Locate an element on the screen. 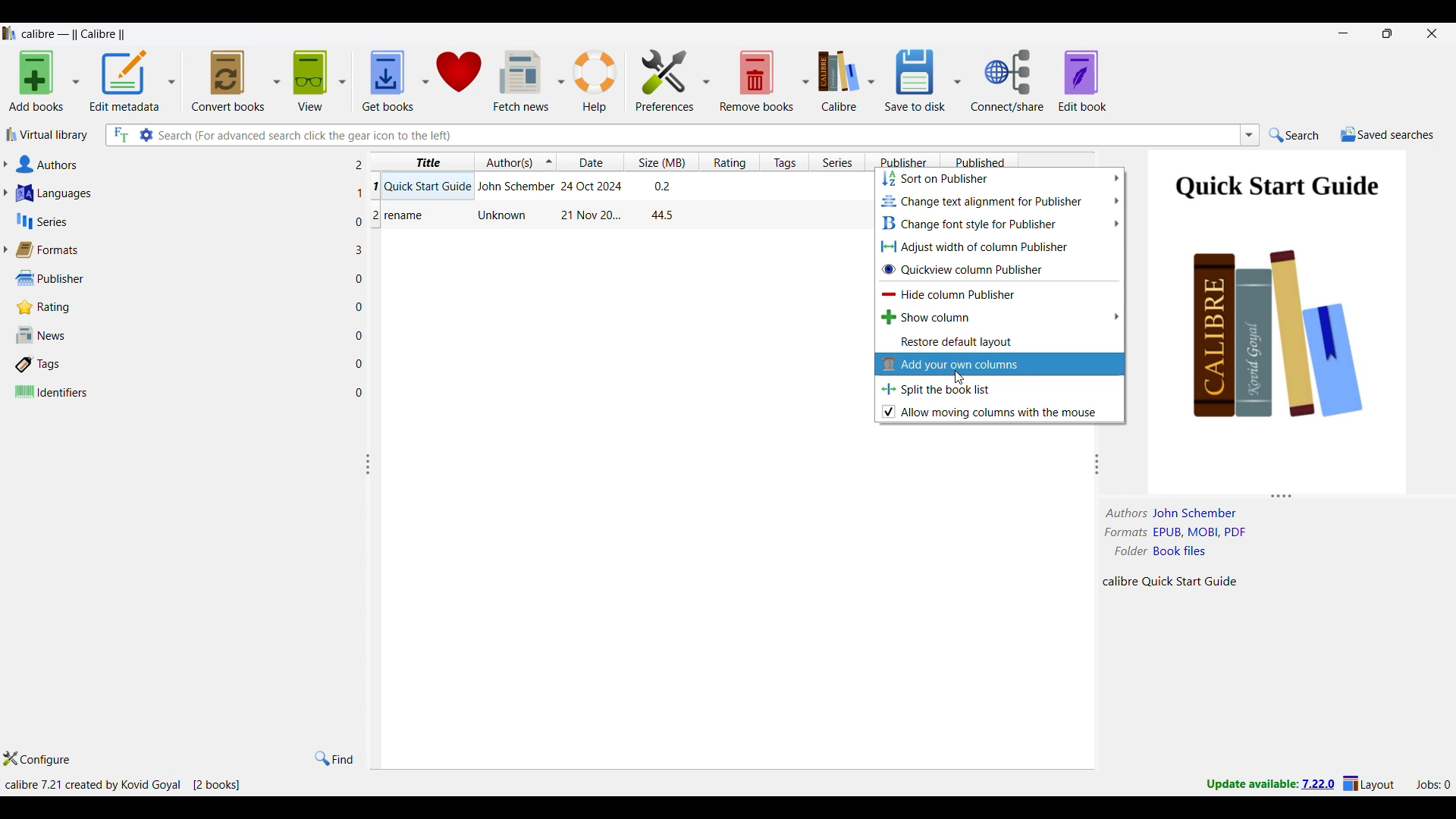  Publisher is located at coordinates (177, 278).